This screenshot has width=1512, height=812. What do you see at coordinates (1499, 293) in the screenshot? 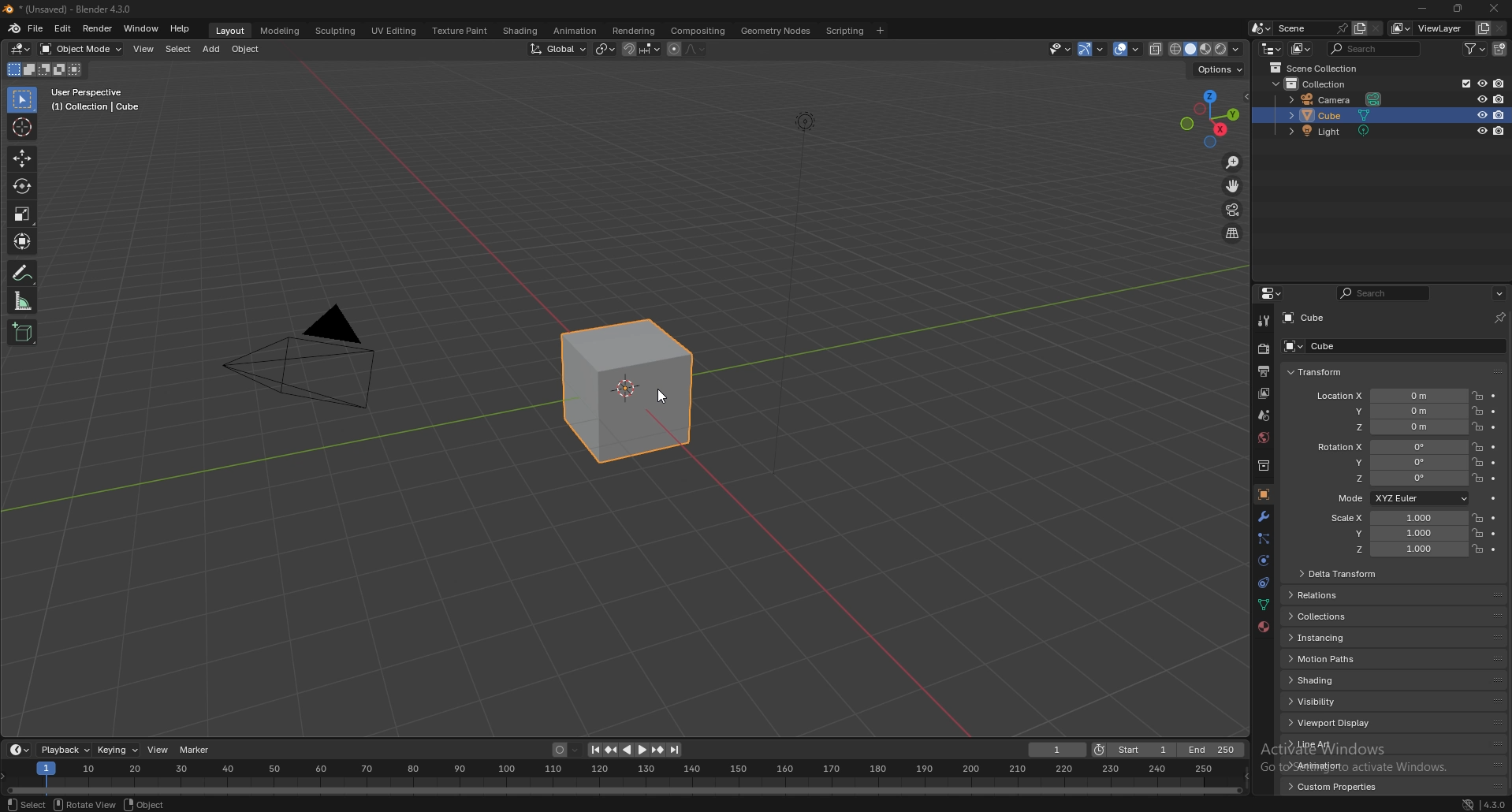
I see `options` at bounding box center [1499, 293].